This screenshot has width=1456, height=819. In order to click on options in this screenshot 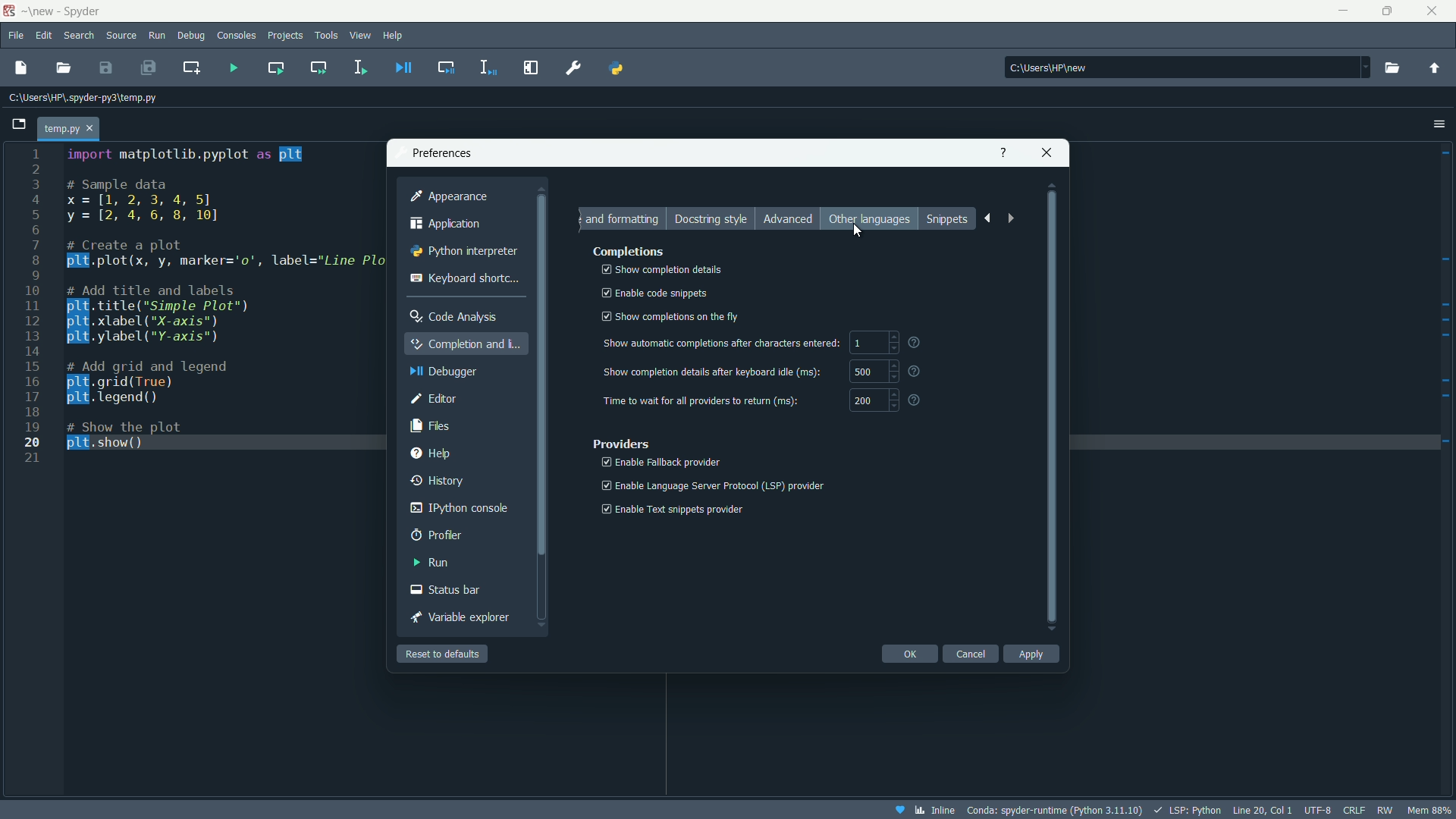, I will do `click(1439, 123)`.